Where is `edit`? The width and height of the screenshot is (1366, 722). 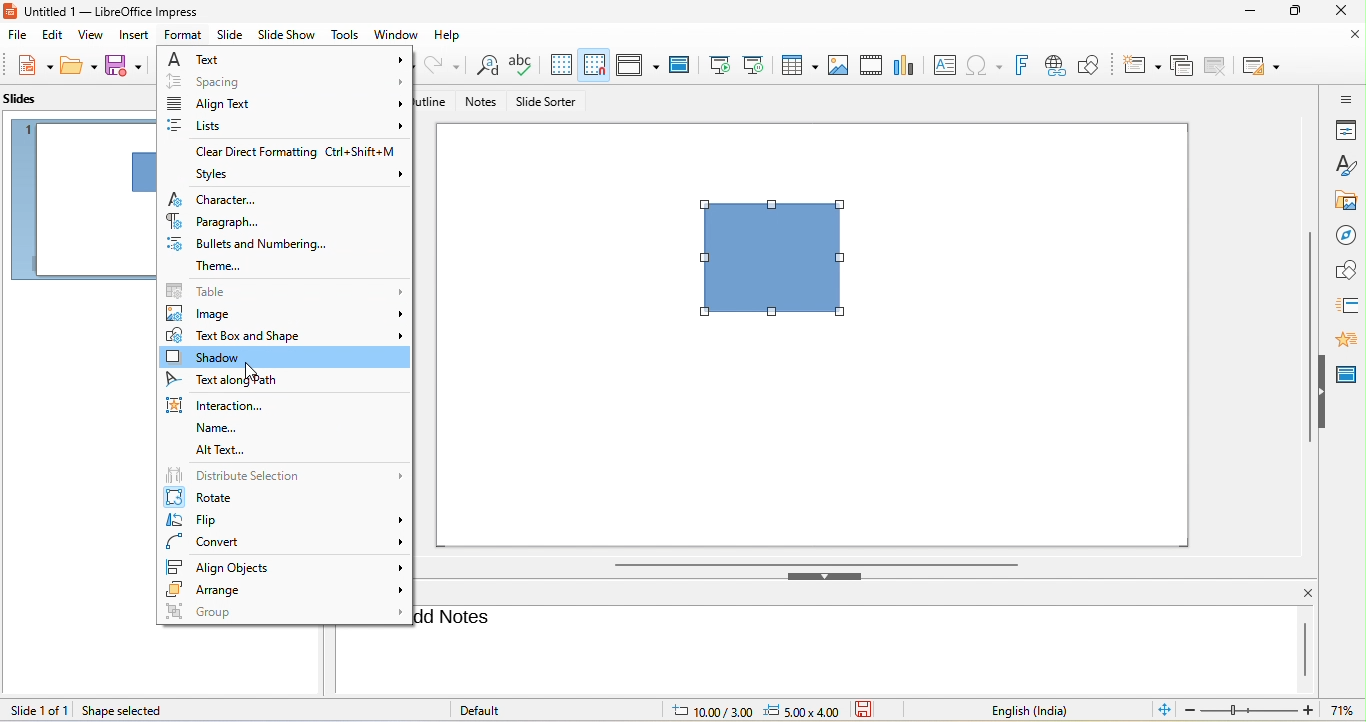 edit is located at coordinates (50, 38).